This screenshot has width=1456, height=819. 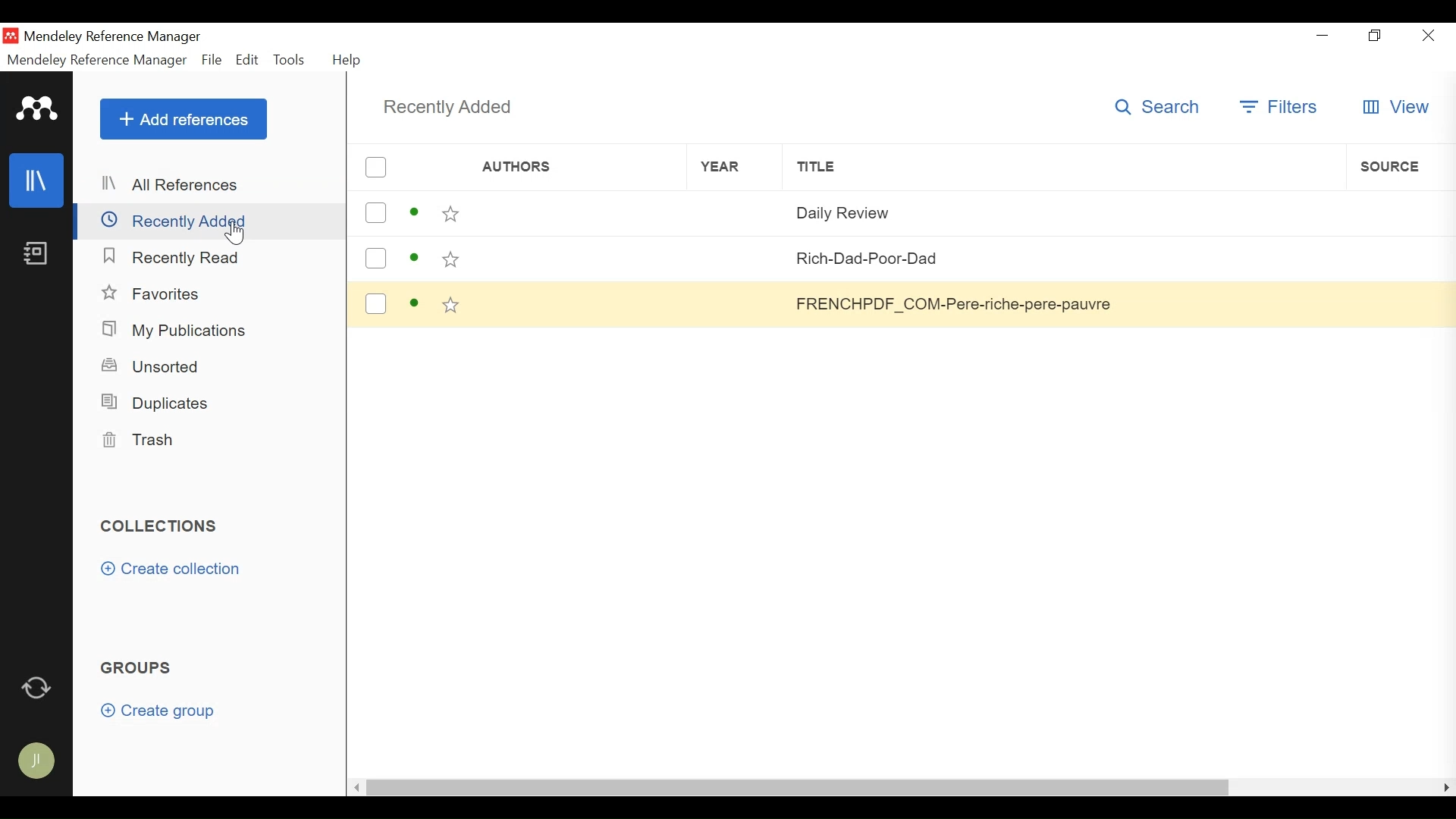 What do you see at coordinates (1158, 107) in the screenshot?
I see `Search ` at bounding box center [1158, 107].